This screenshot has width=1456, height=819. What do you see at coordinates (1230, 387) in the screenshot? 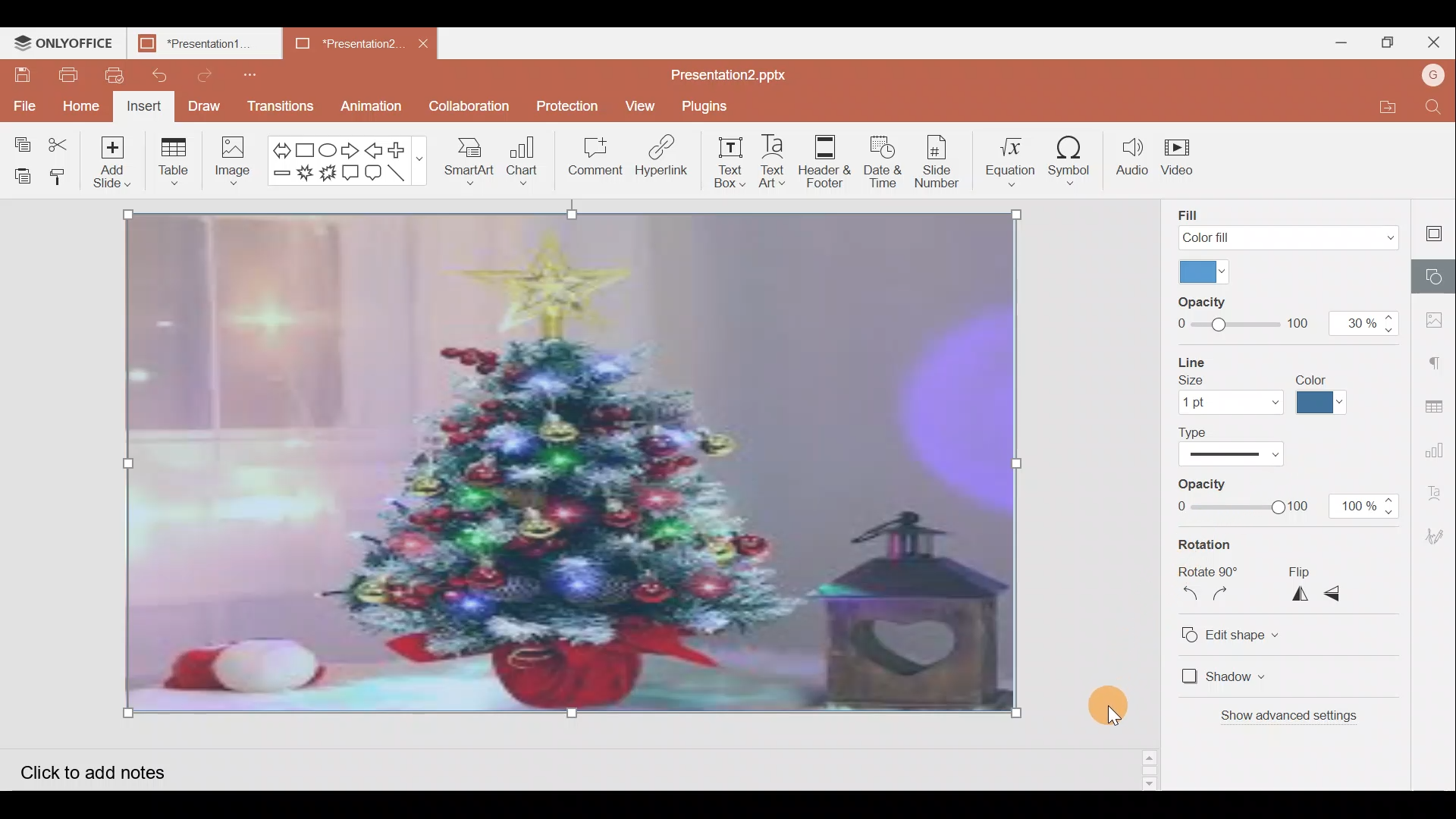
I see `Line size` at bounding box center [1230, 387].